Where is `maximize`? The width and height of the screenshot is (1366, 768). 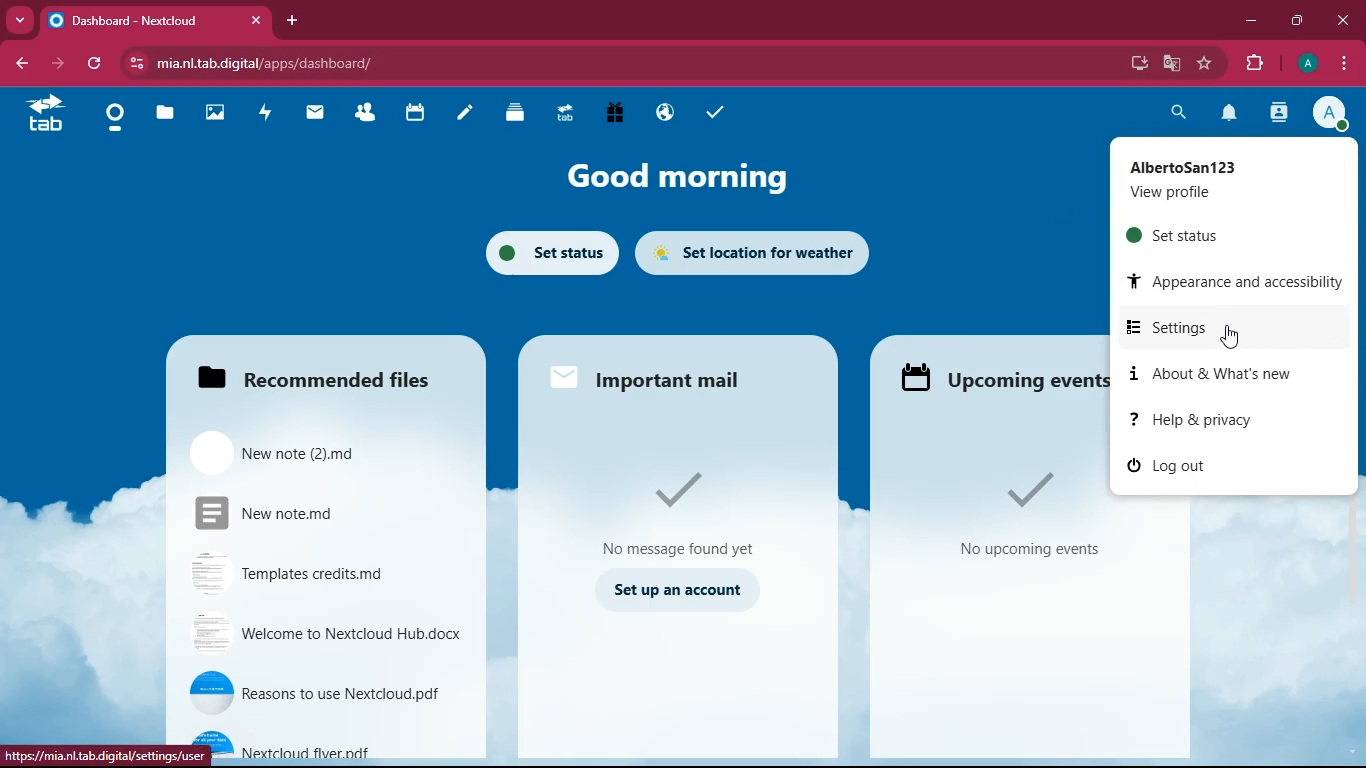 maximize is located at coordinates (1295, 22).